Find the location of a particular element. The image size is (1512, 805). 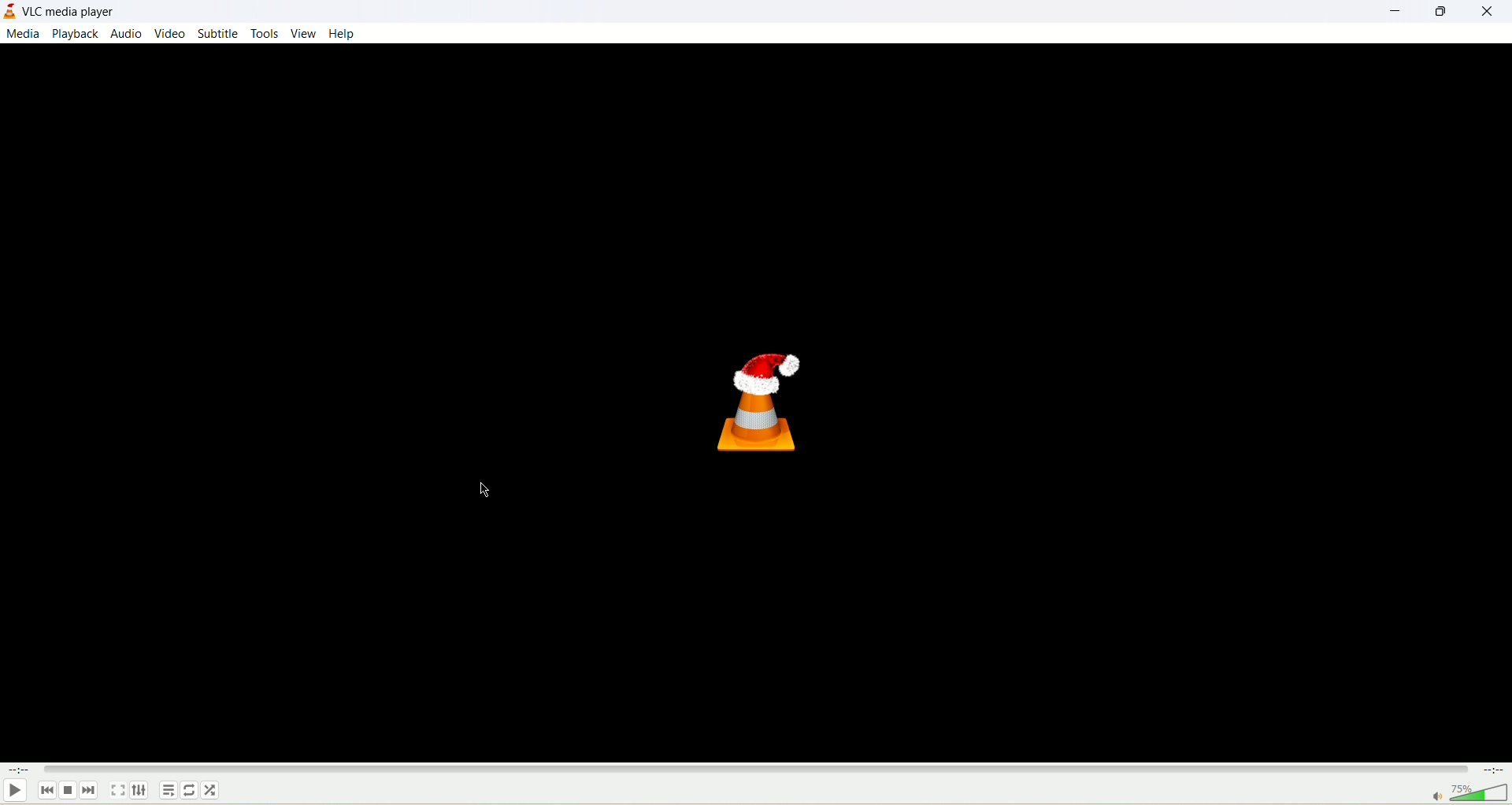

play is located at coordinates (18, 791).